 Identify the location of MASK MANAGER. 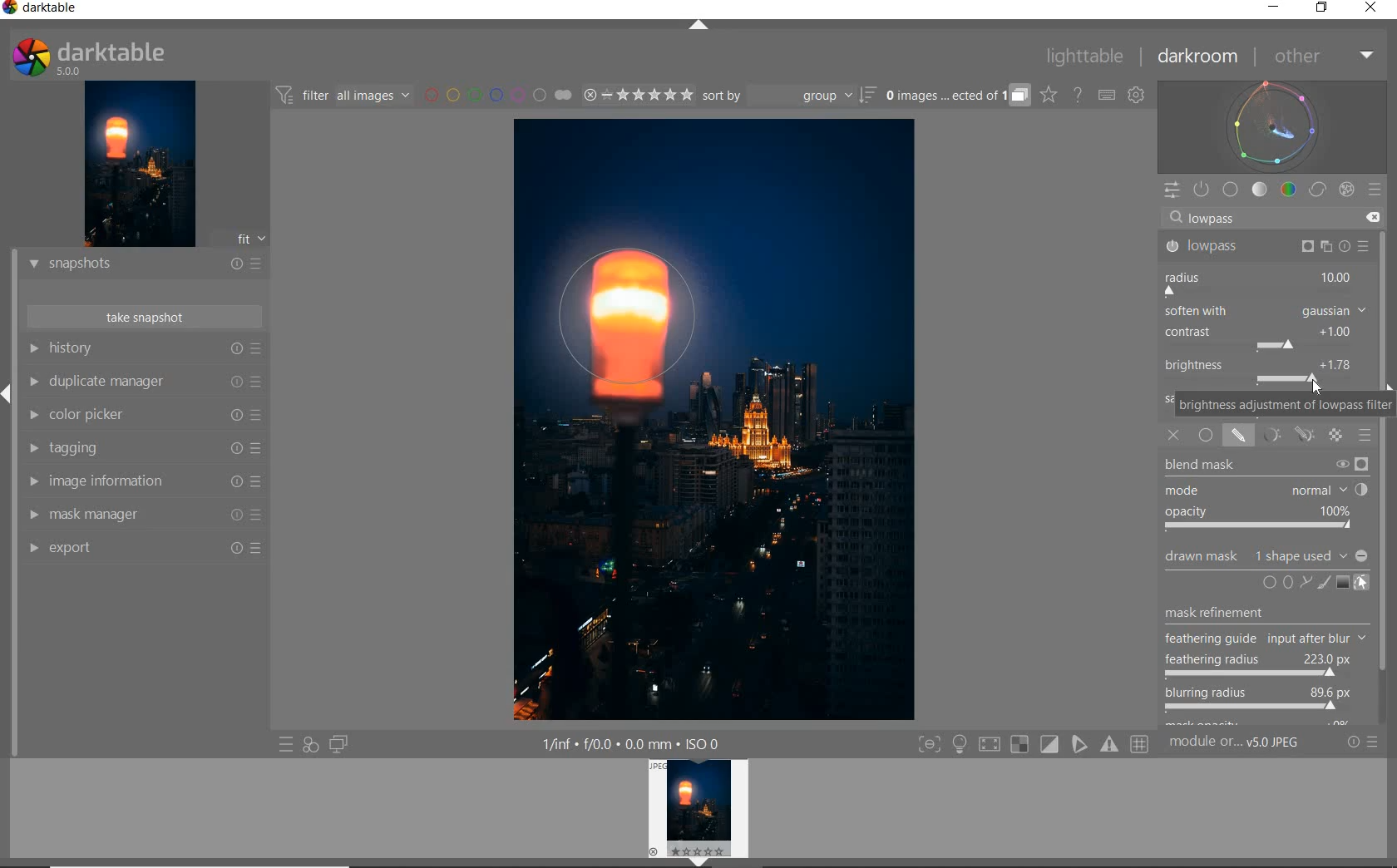
(144, 515).